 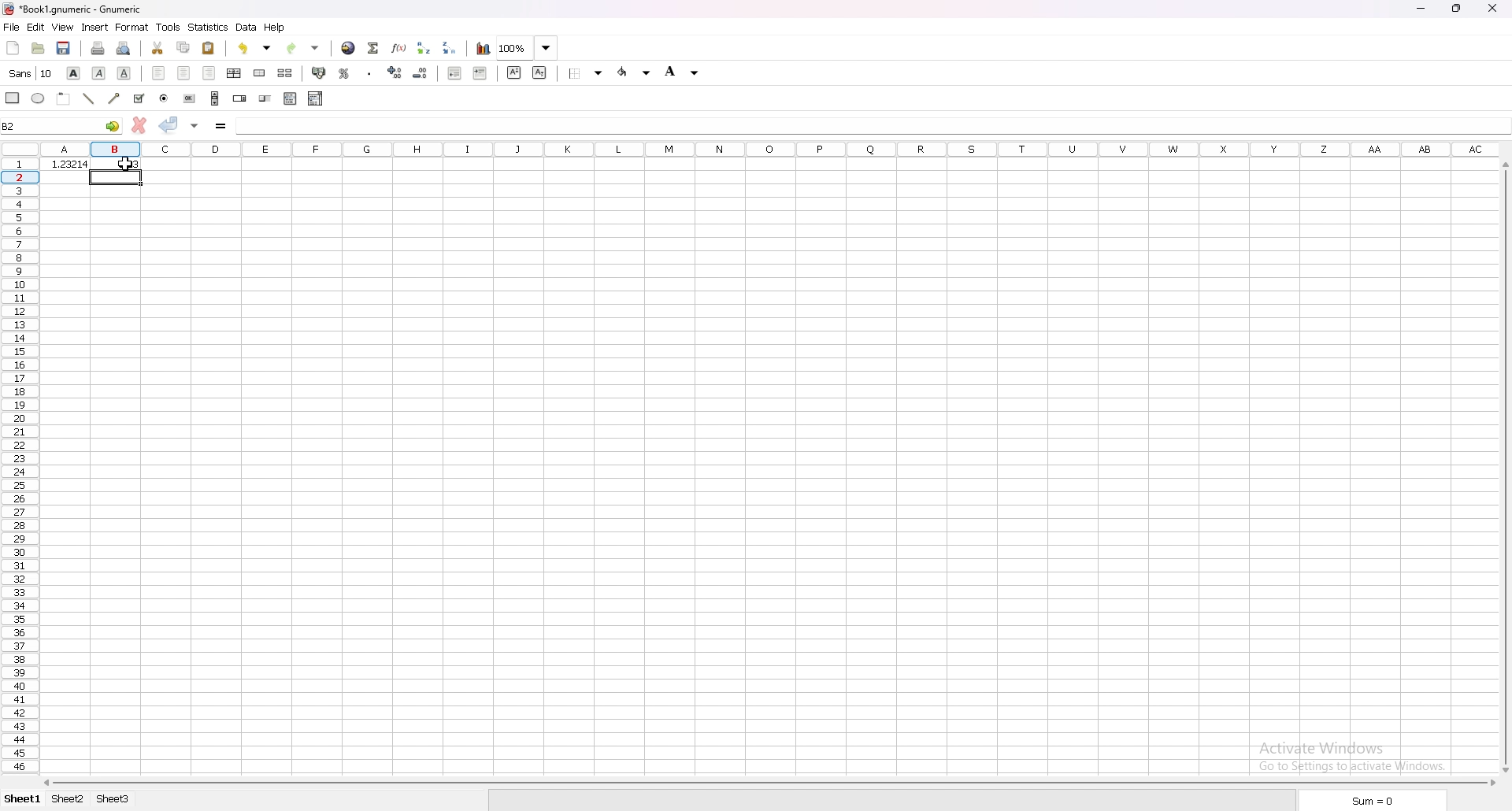 I want to click on paste, so click(x=209, y=48).